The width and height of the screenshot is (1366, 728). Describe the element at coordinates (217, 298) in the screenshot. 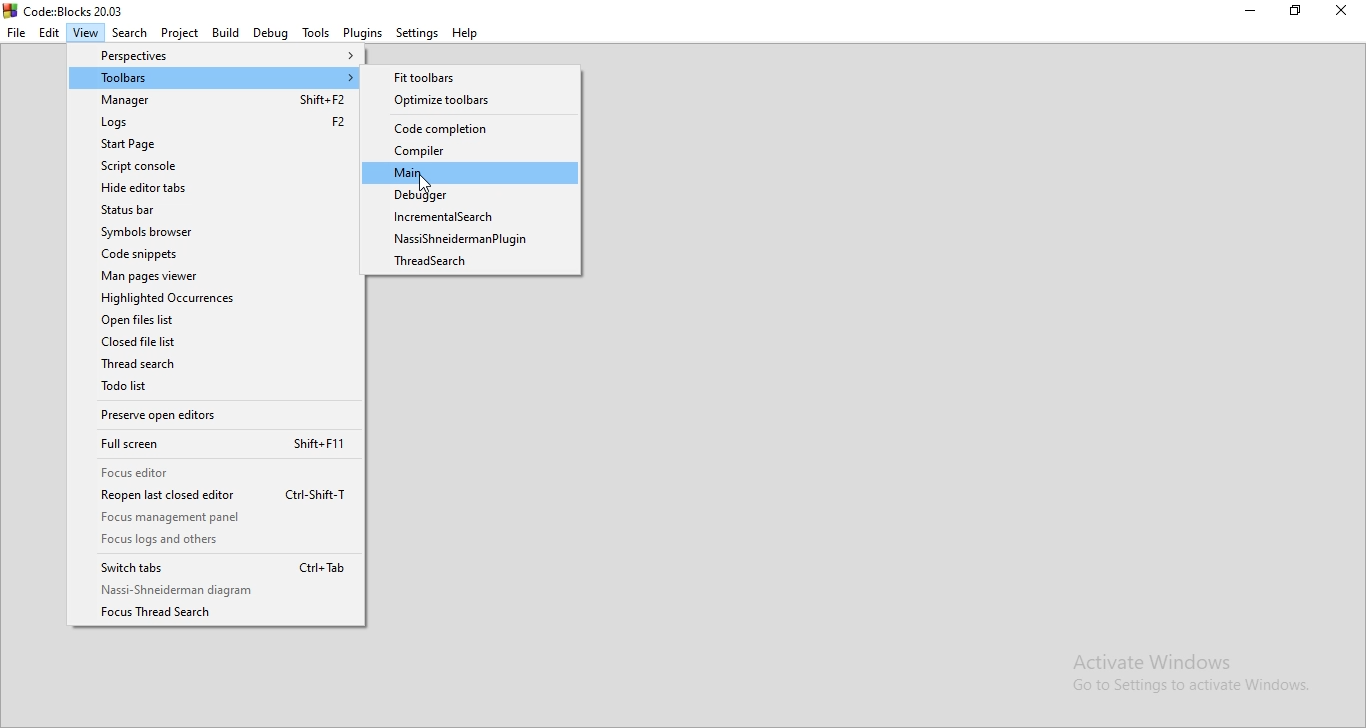

I see `Highlighted Occurences` at that location.